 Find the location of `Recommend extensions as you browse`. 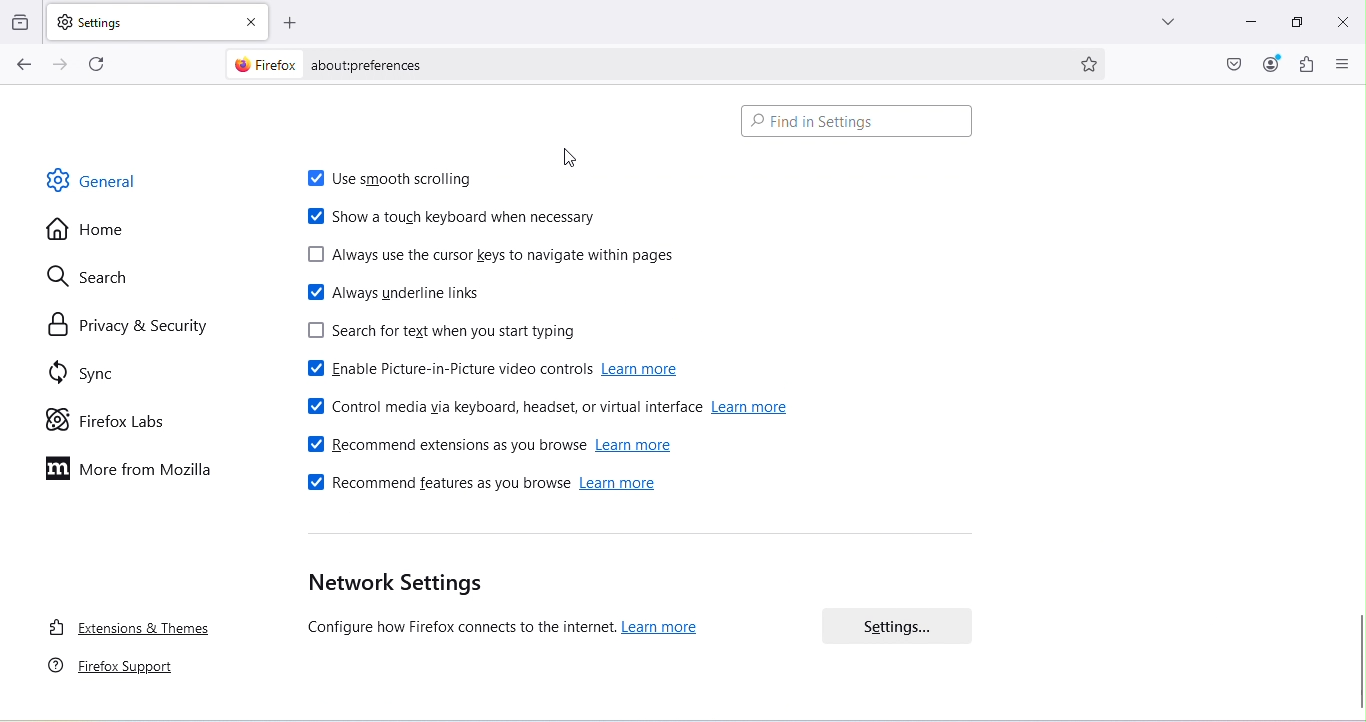

Recommend extensions as you browse is located at coordinates (444, 444).